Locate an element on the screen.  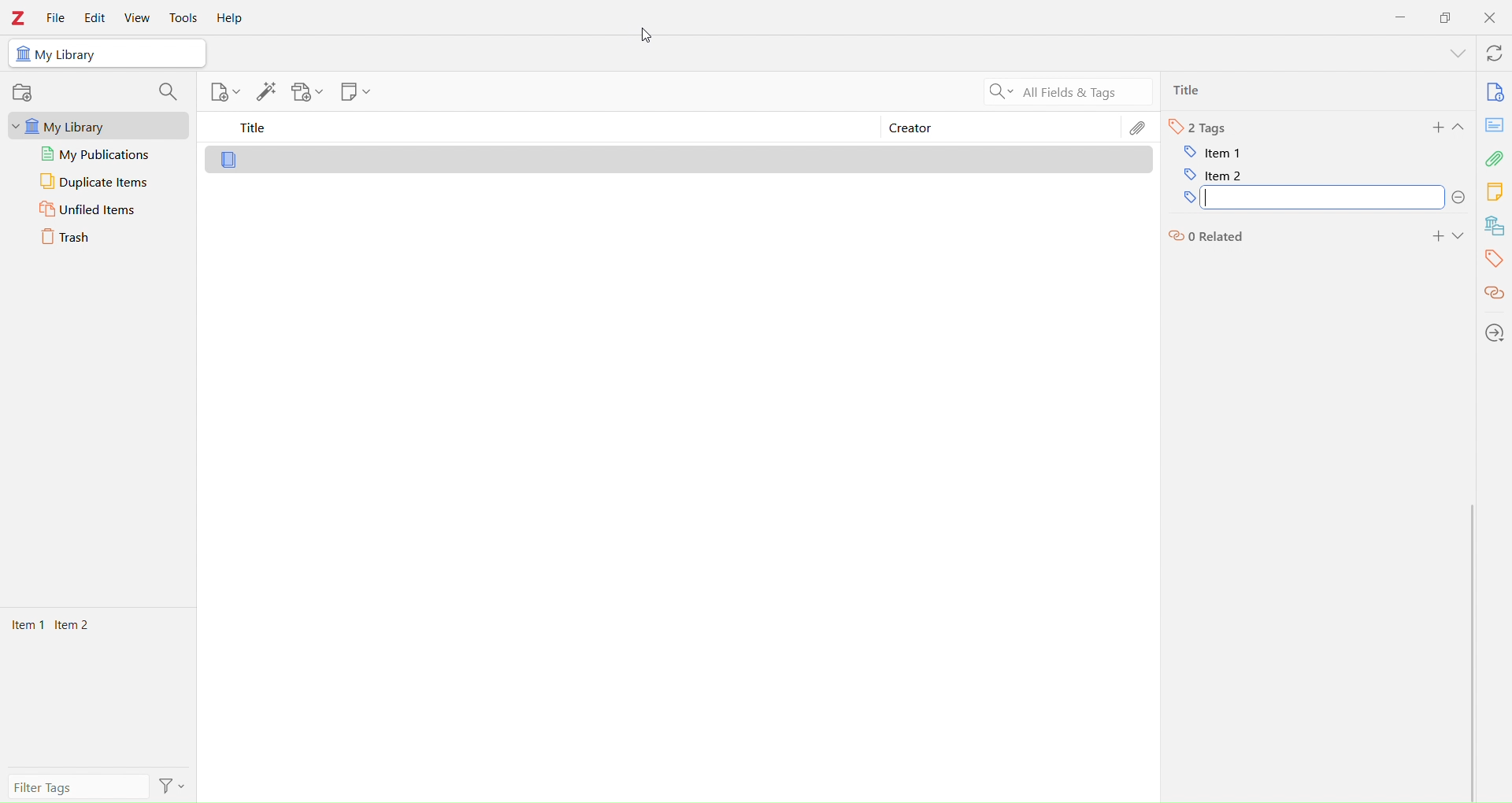
View is located at coordinates (140, 18).